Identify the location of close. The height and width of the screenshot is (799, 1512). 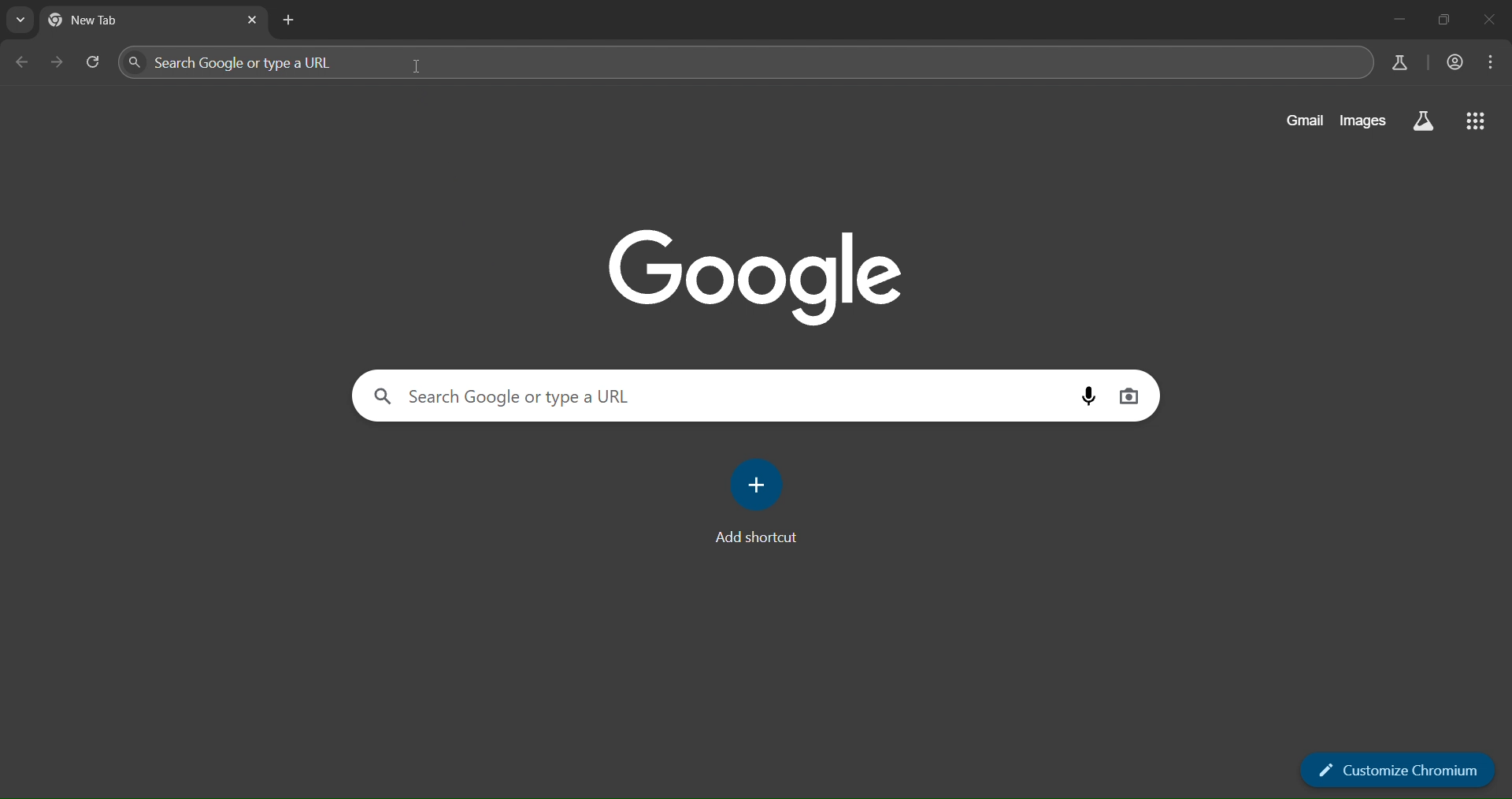
(1489, 22).